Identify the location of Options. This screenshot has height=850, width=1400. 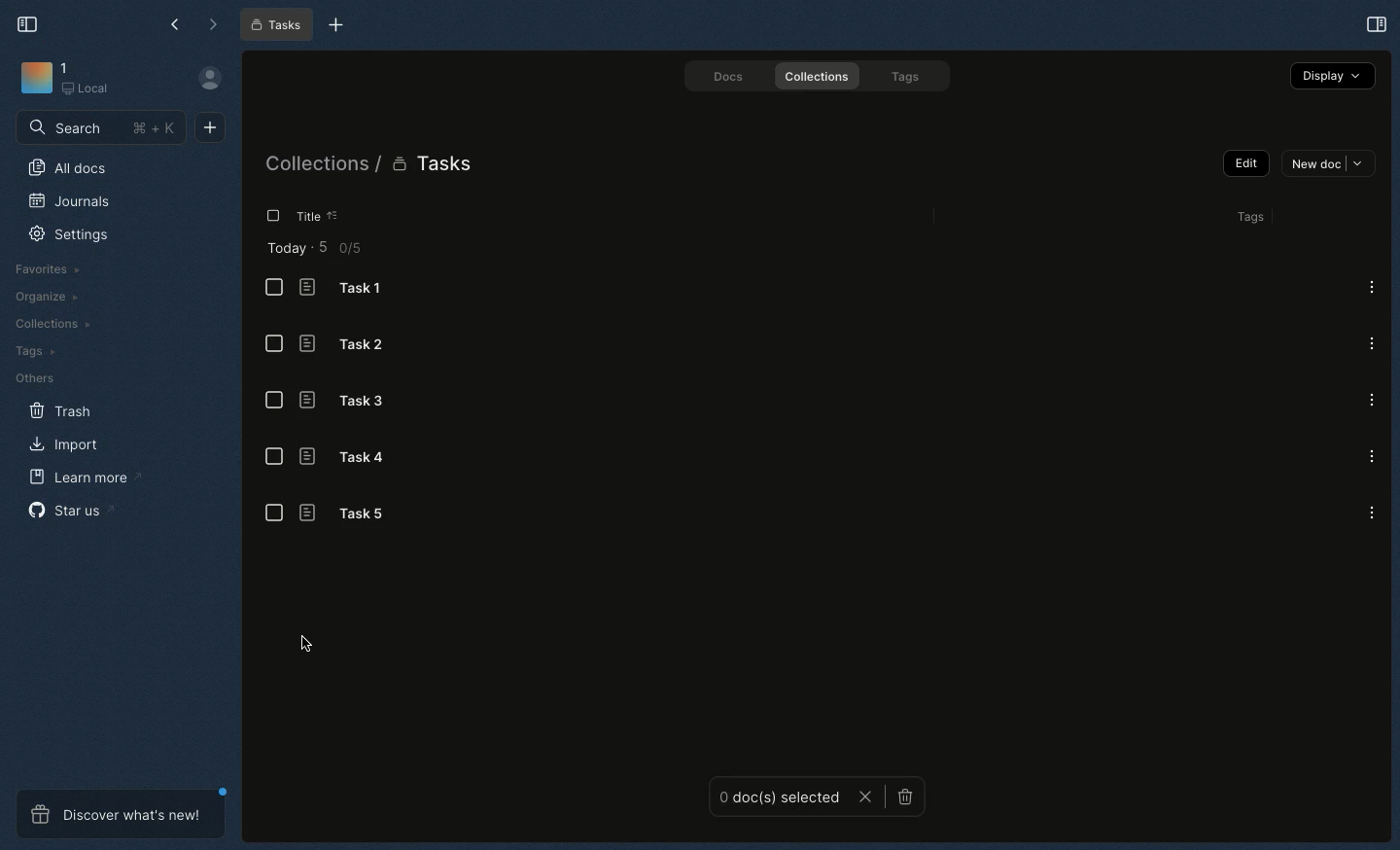
(1370, 511).